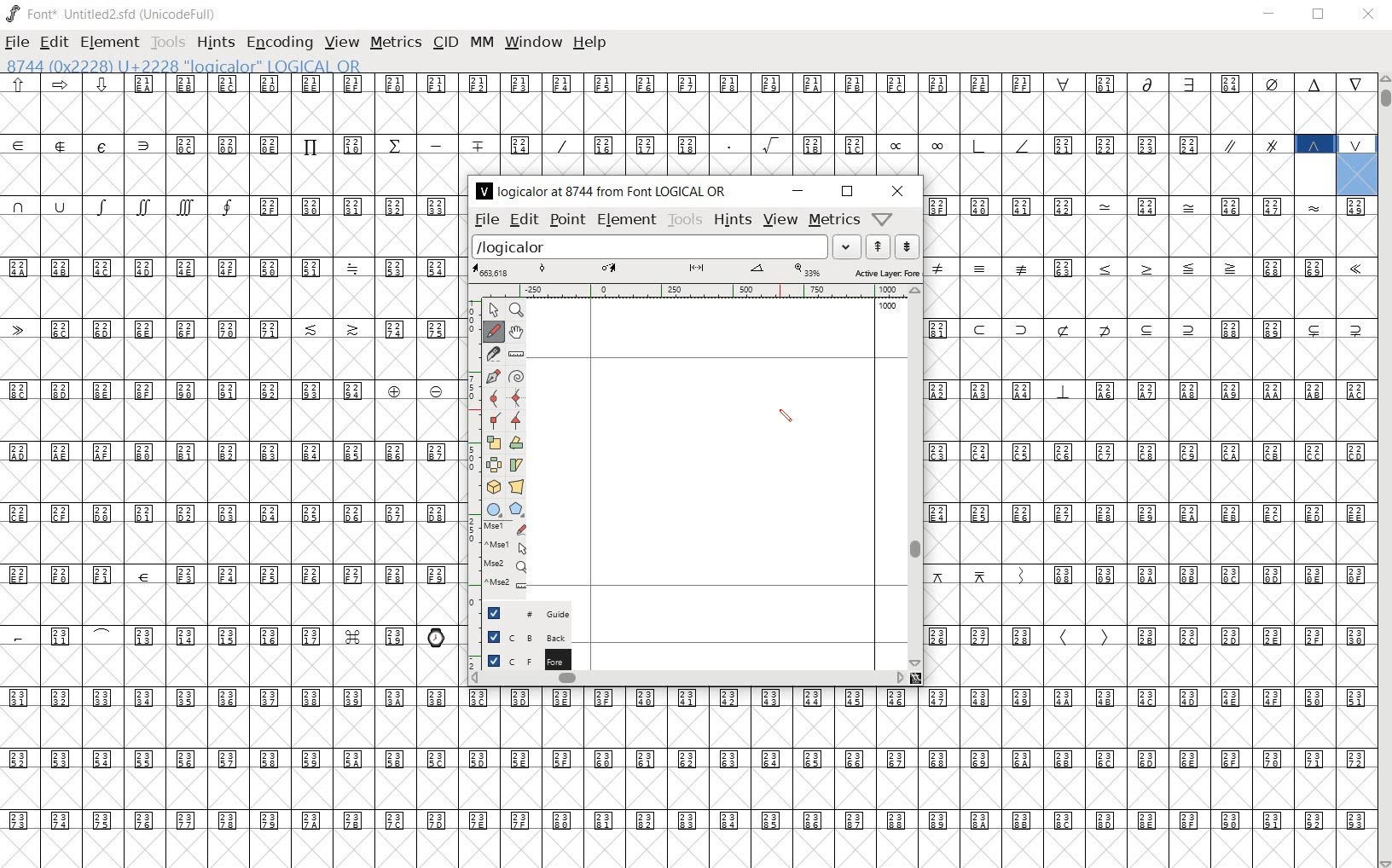  Describe the element at coordinates (917, 477) in the screenshot. I see `scrollbar` at that location.